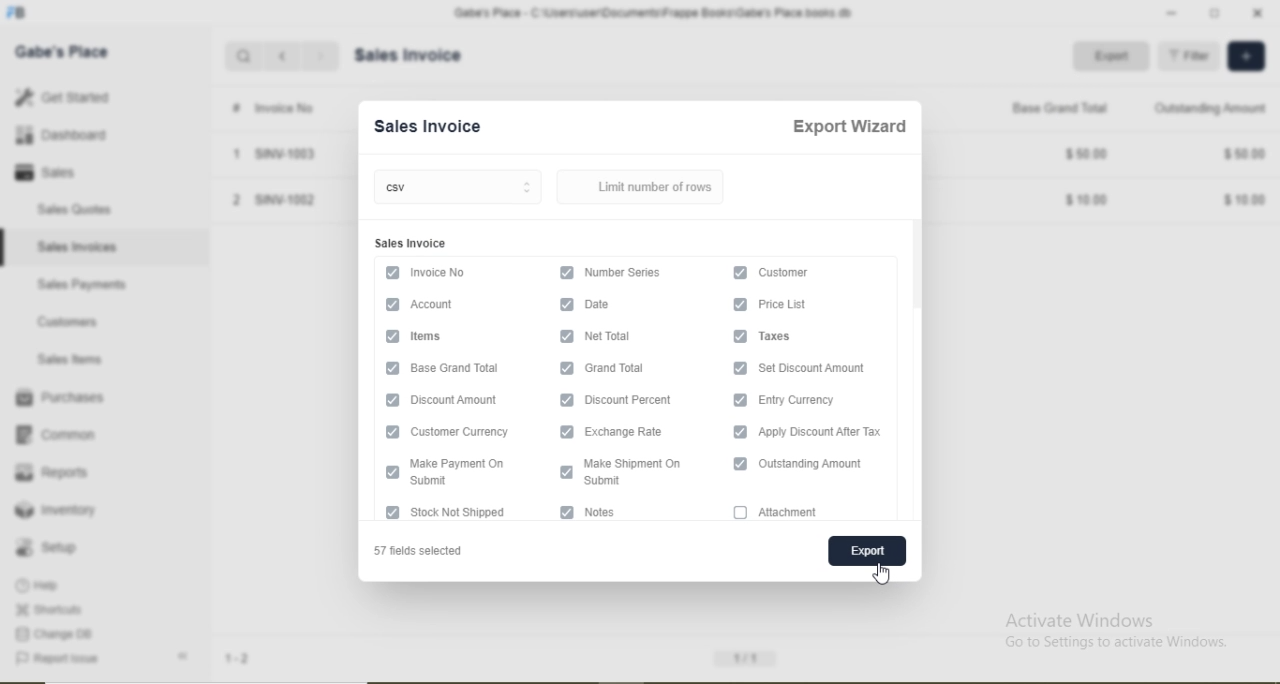 The image size is (1280, 684). Describe the element at coordinates (1245, 153) in the screenshot. I see `$5000` at that location.